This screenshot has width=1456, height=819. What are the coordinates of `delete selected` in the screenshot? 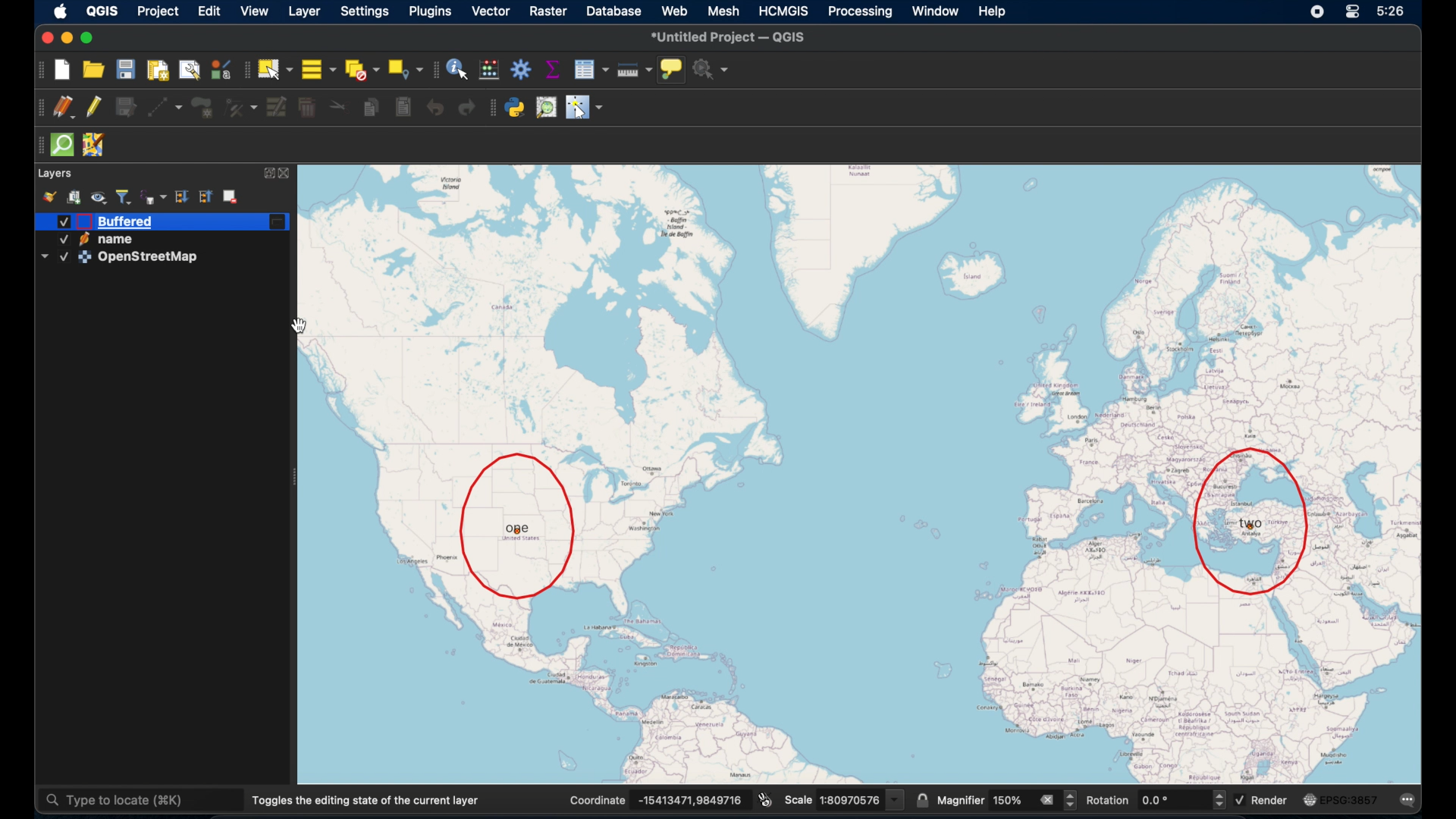 It's located at (306, 108).